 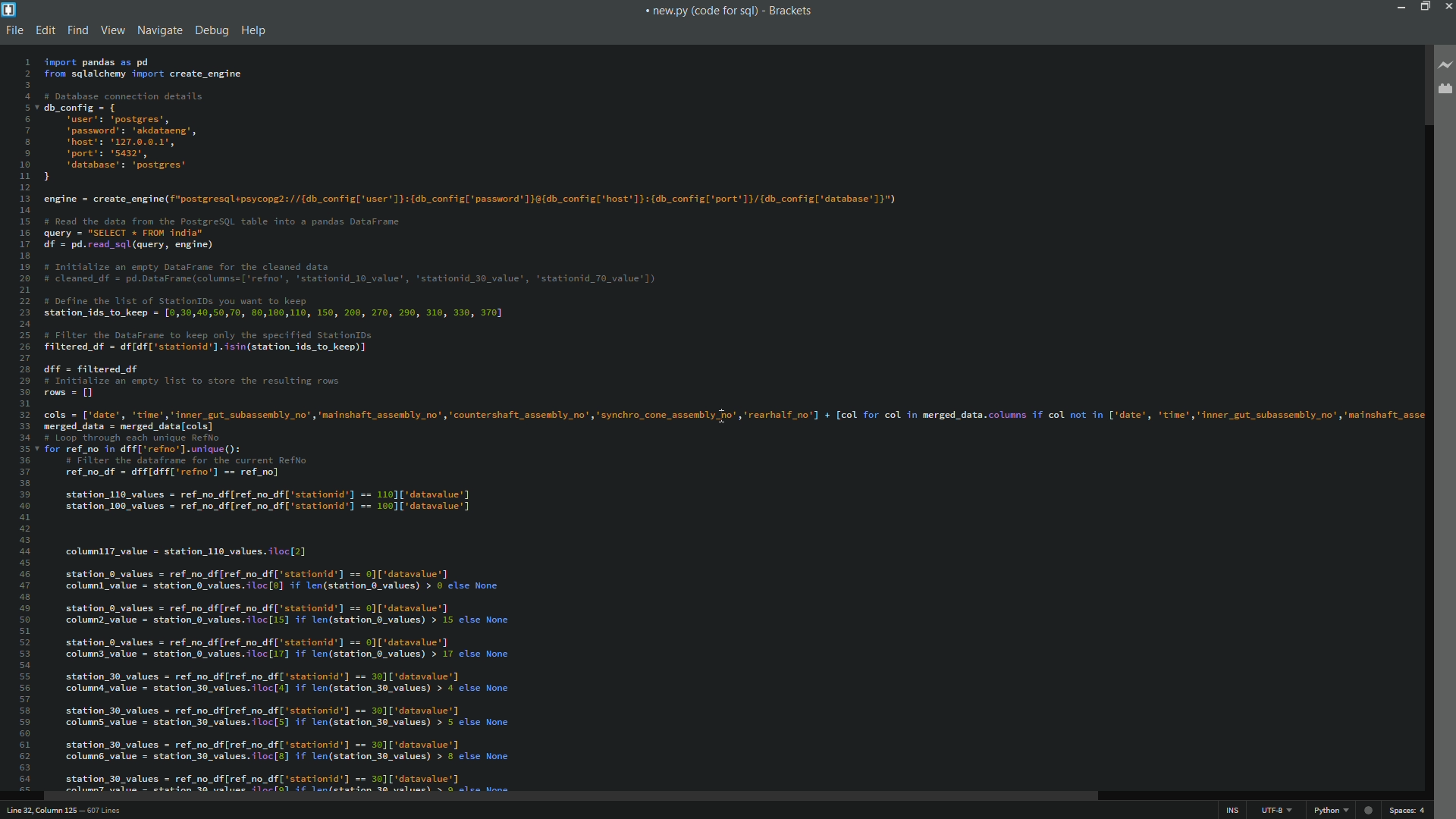 I want to click on file name, so click(x=701, y=11).